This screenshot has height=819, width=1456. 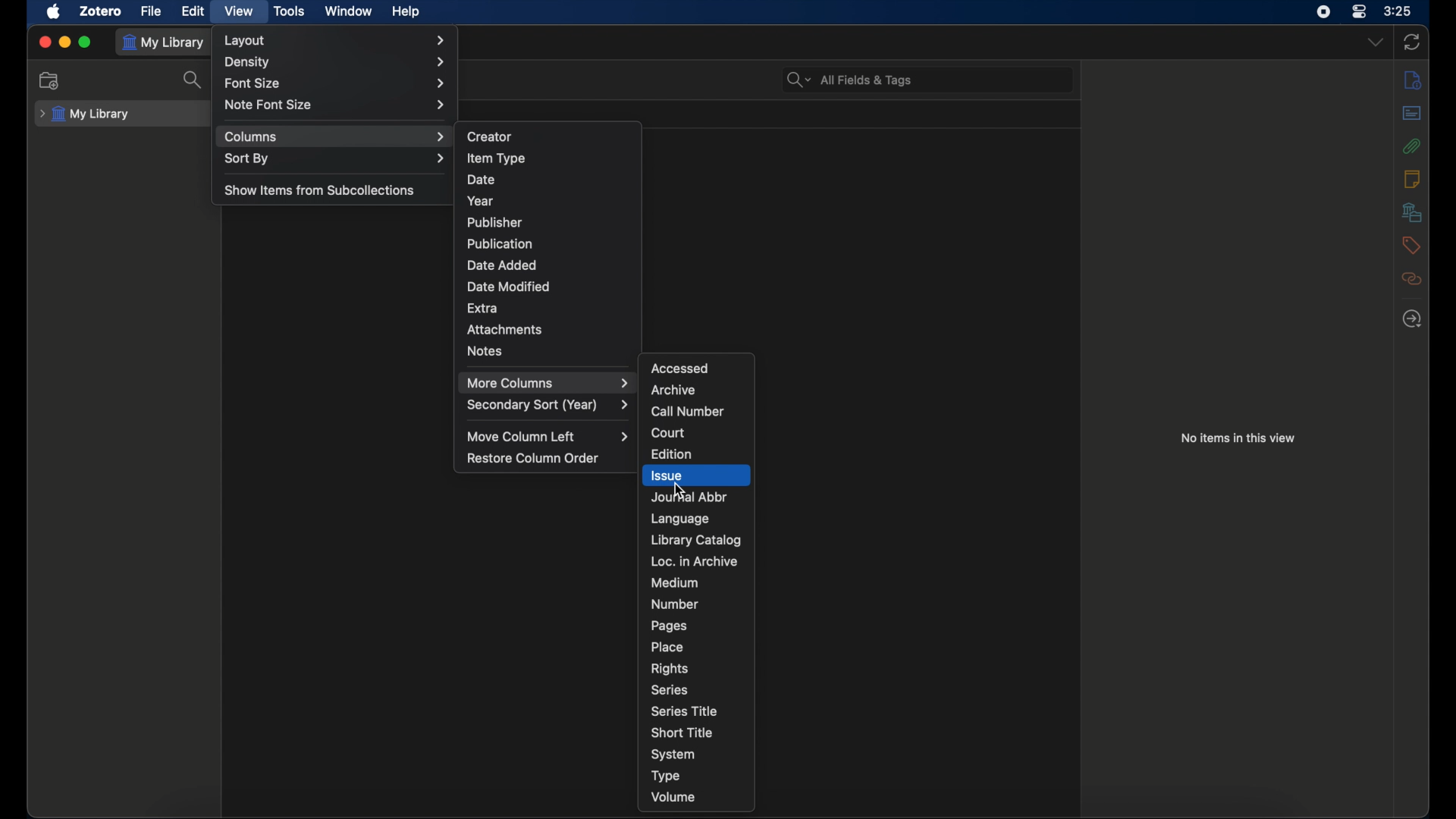 I want to click on font size, so click(x=335, y=84).